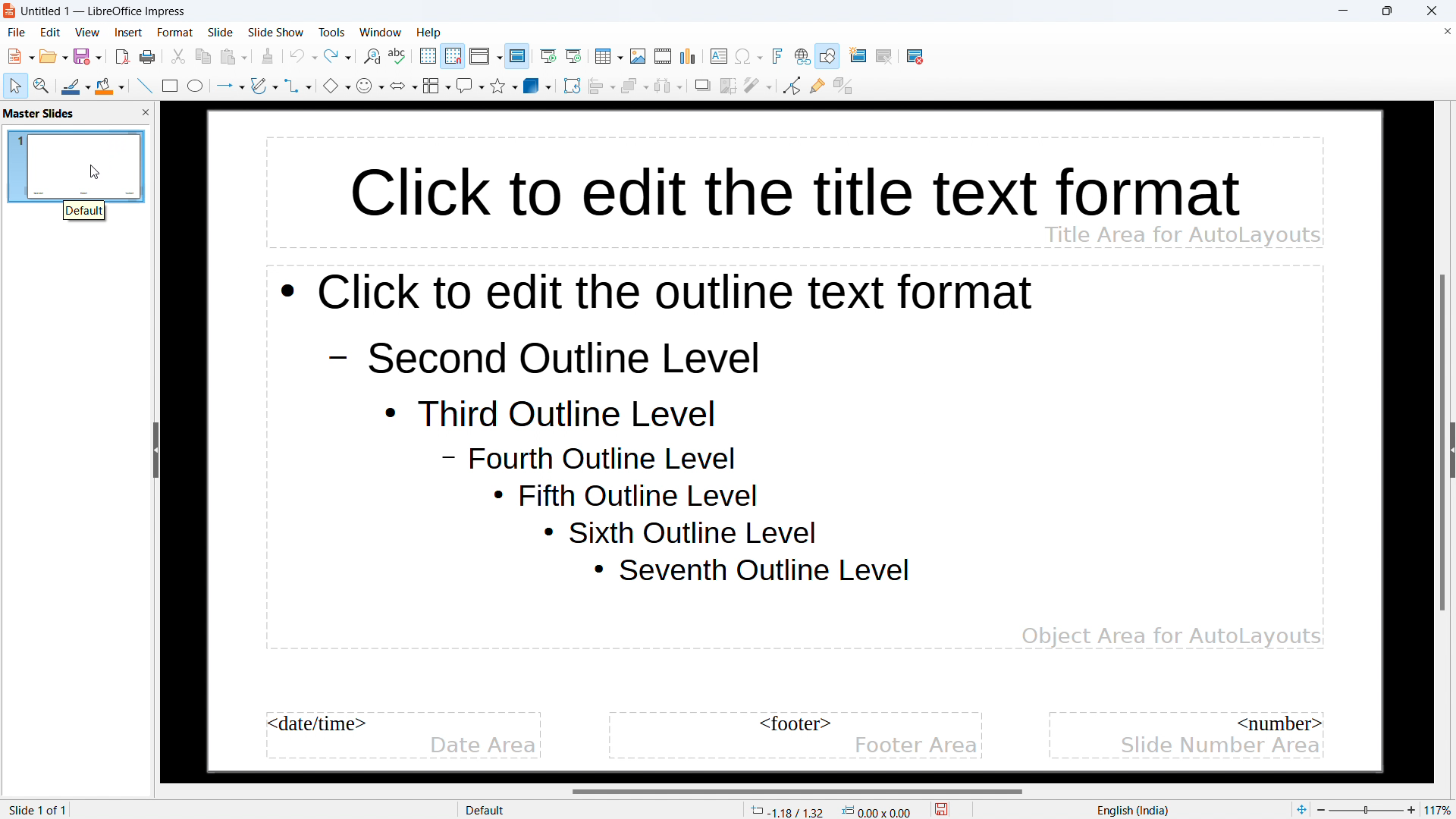  Describe the element at coordinates (276, 32) in the screenshot. I see `slide show` at that location.